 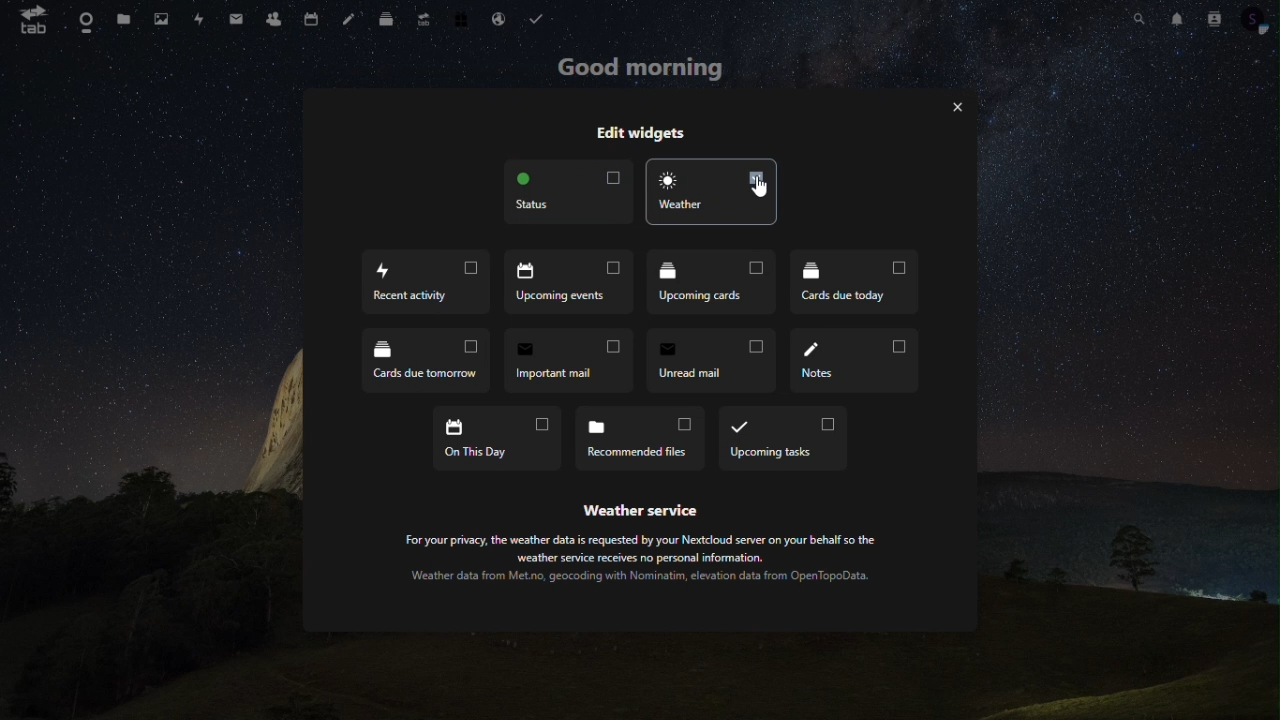 What do you see at coordinates (234, 19) in the screenshot?
I see `message` at bounding box center [234, 19].